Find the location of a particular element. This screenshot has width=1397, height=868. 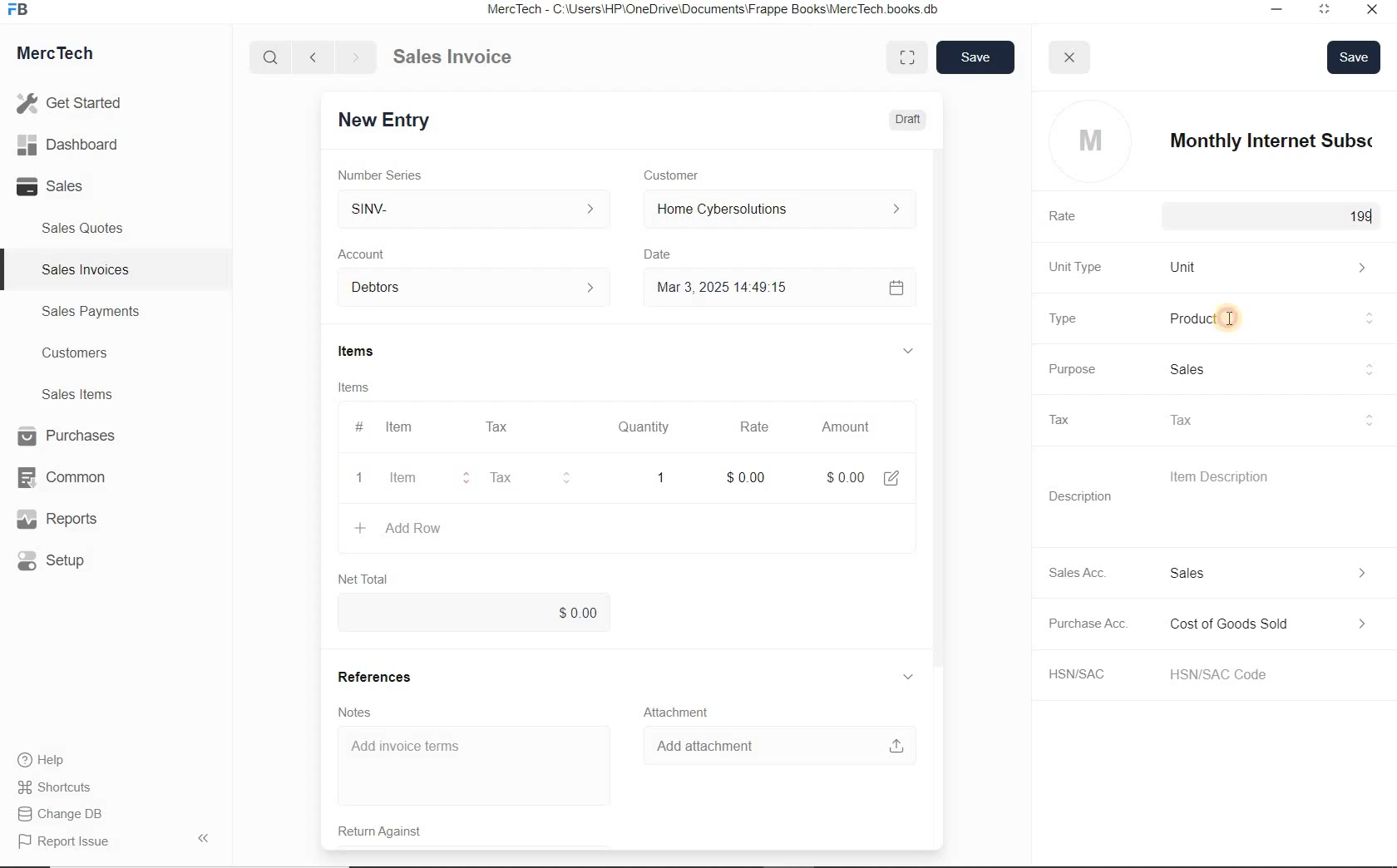

HSN/SAC is located at coordinates (1086, 674).